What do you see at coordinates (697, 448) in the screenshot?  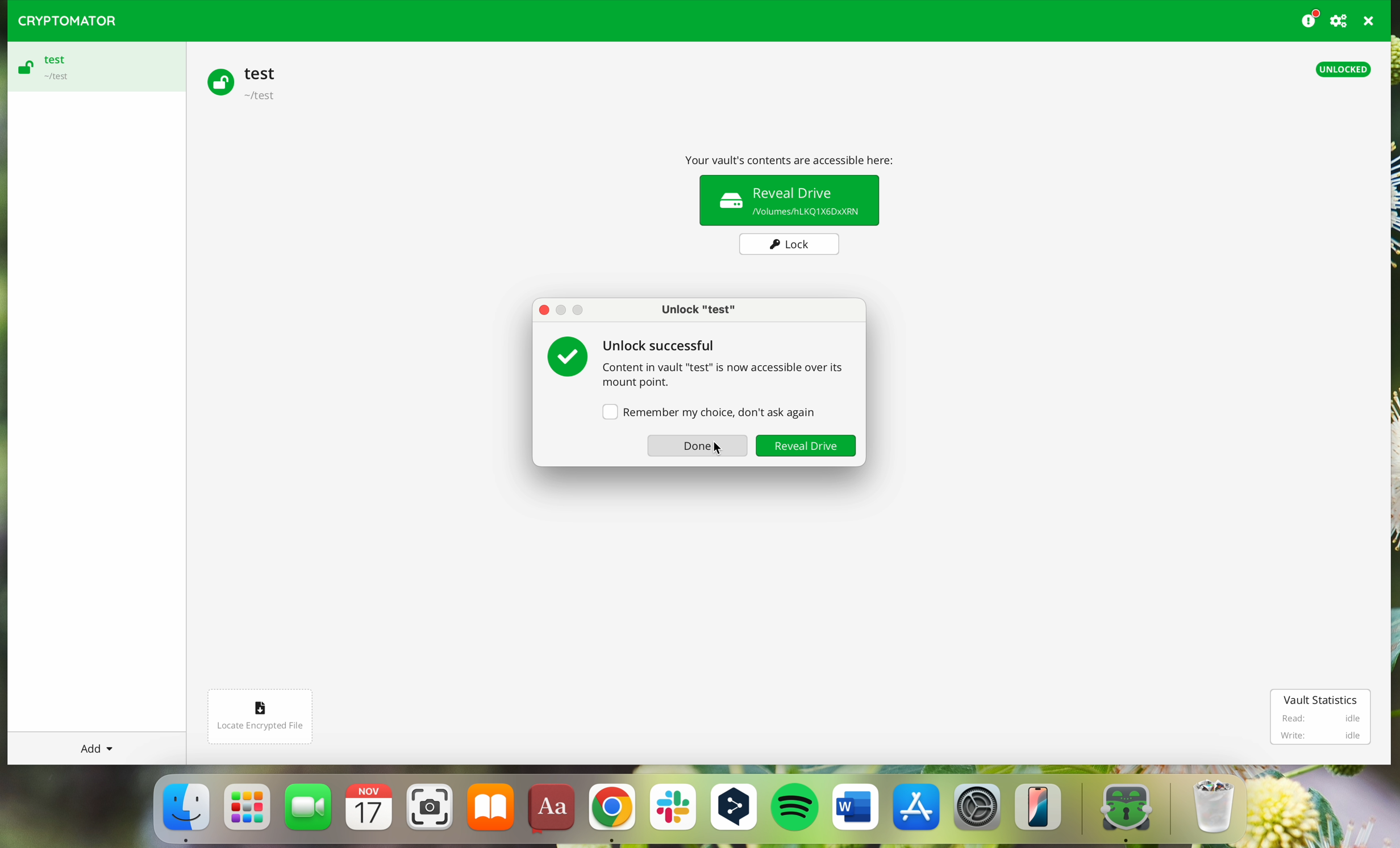 I see `Cancel` at bounding box center [697, 448].